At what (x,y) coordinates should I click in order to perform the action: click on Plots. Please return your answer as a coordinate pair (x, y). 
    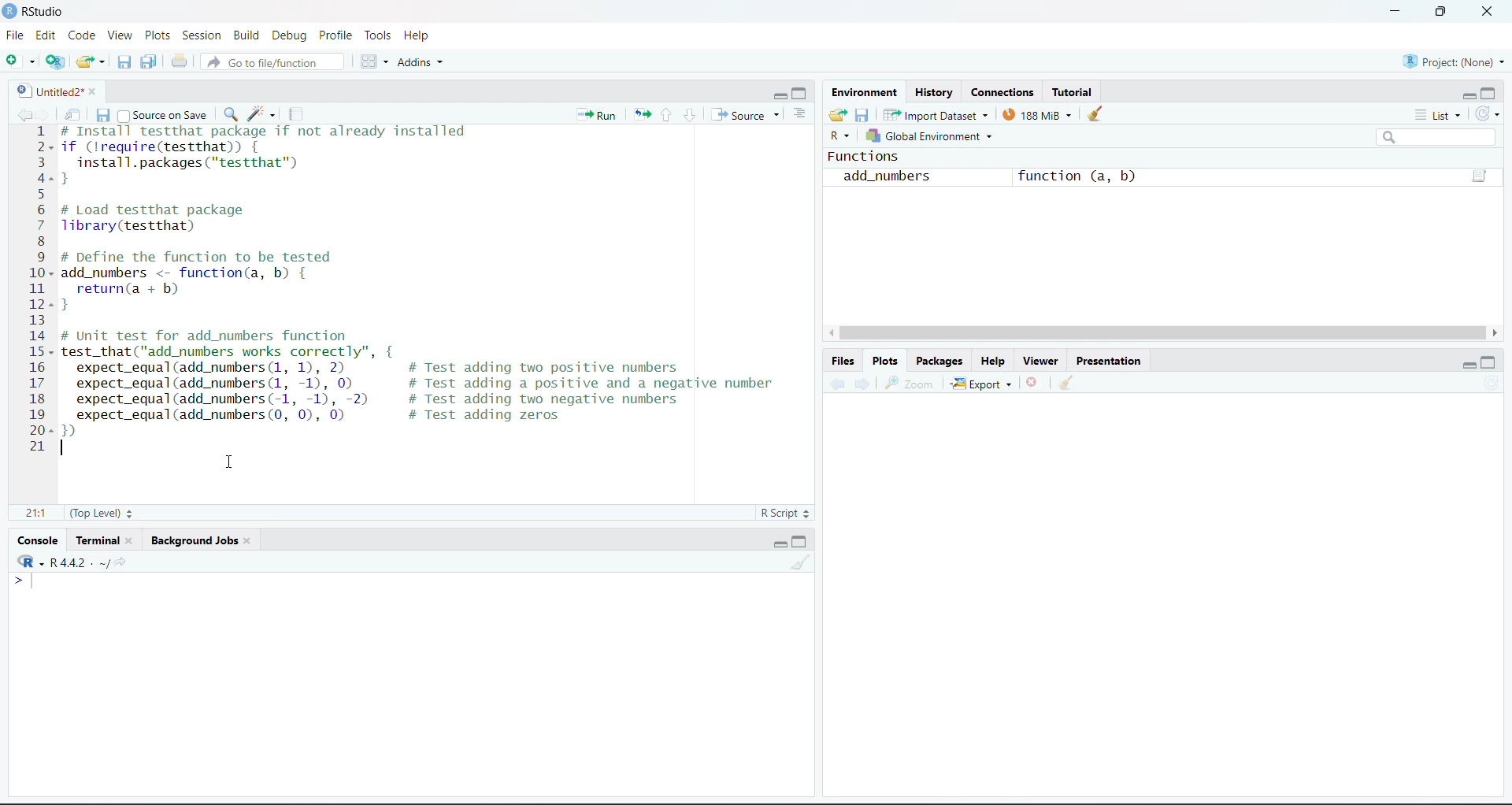
    Looking at the image, I should click on (884, 362).